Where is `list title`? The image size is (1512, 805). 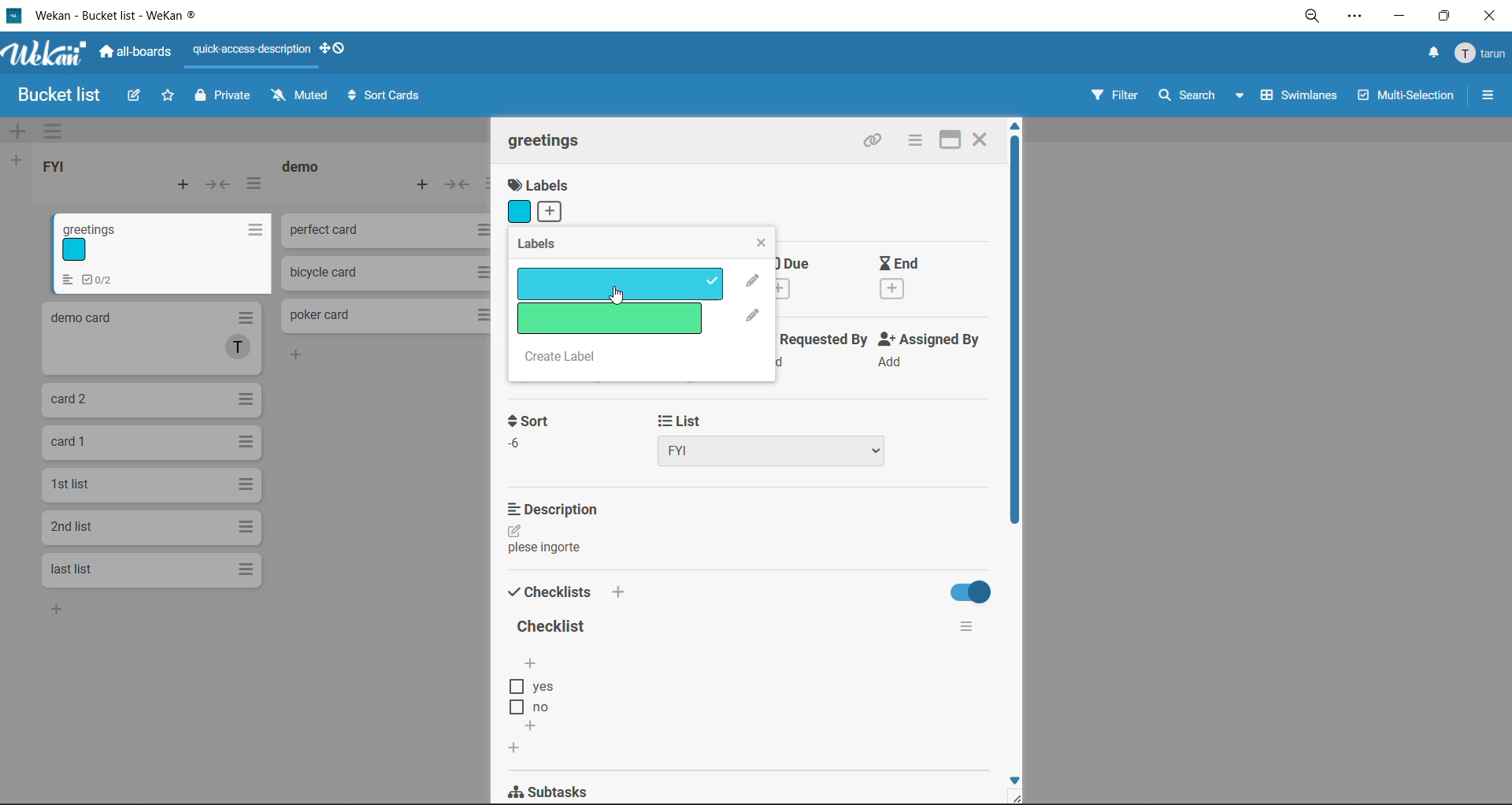 list title is located at coordinates (55, 165).